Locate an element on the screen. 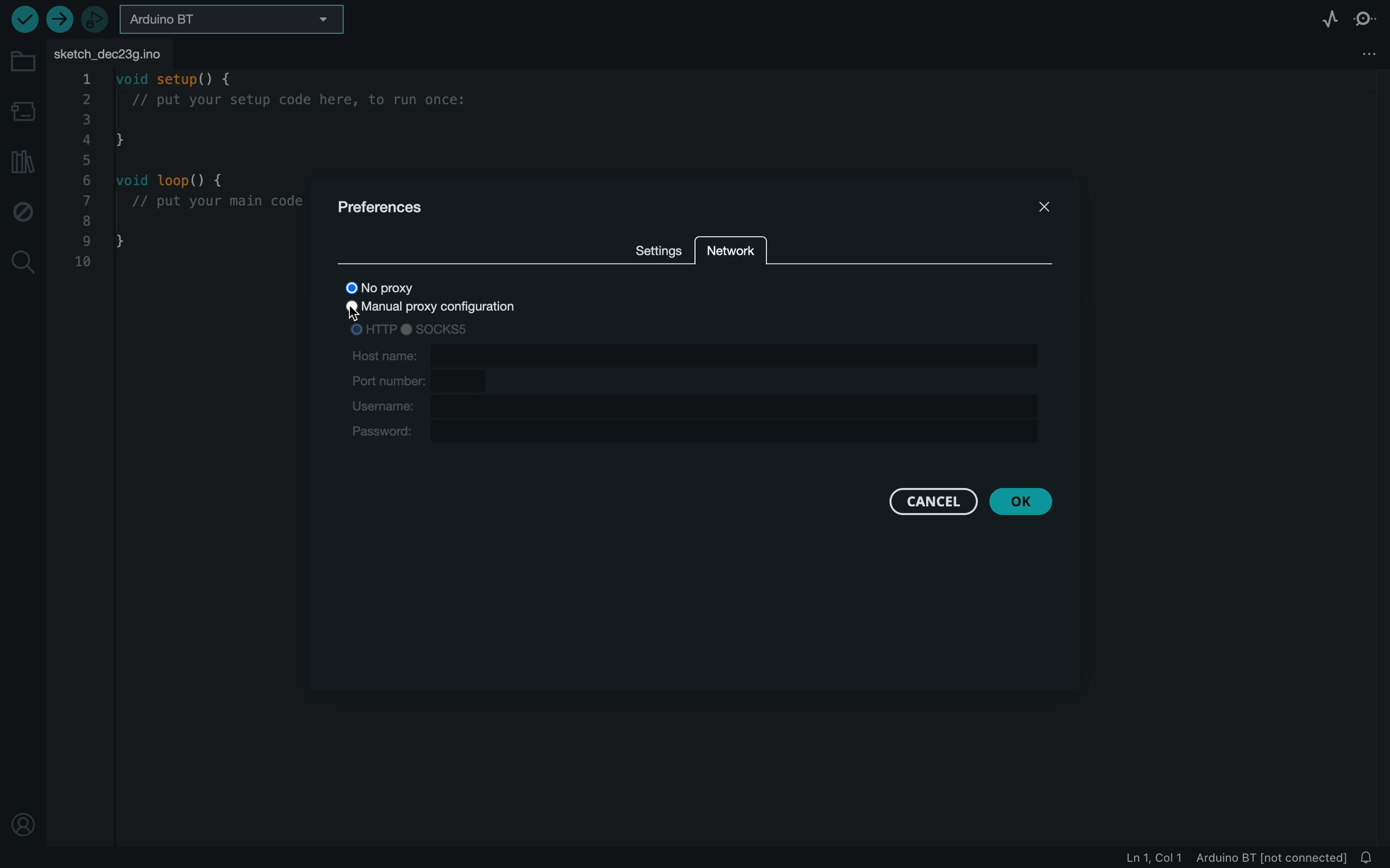 This screenshot has height=868, width=1390. file information is located at coordinates (1232, 858).